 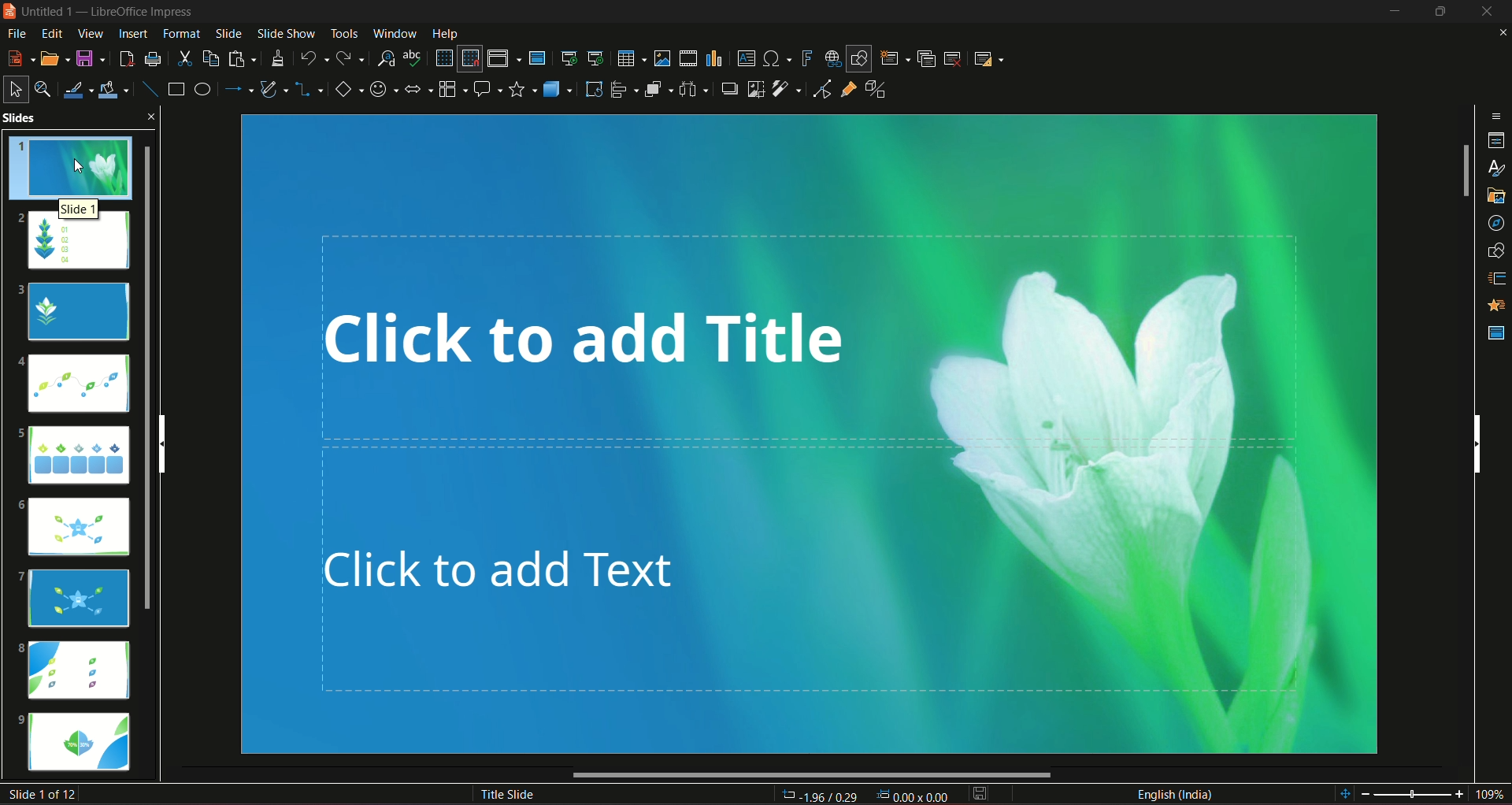 What do you see at coordinates (661, 58) in the screenshot?
I see `insert image` at bounding box center [661, 58].